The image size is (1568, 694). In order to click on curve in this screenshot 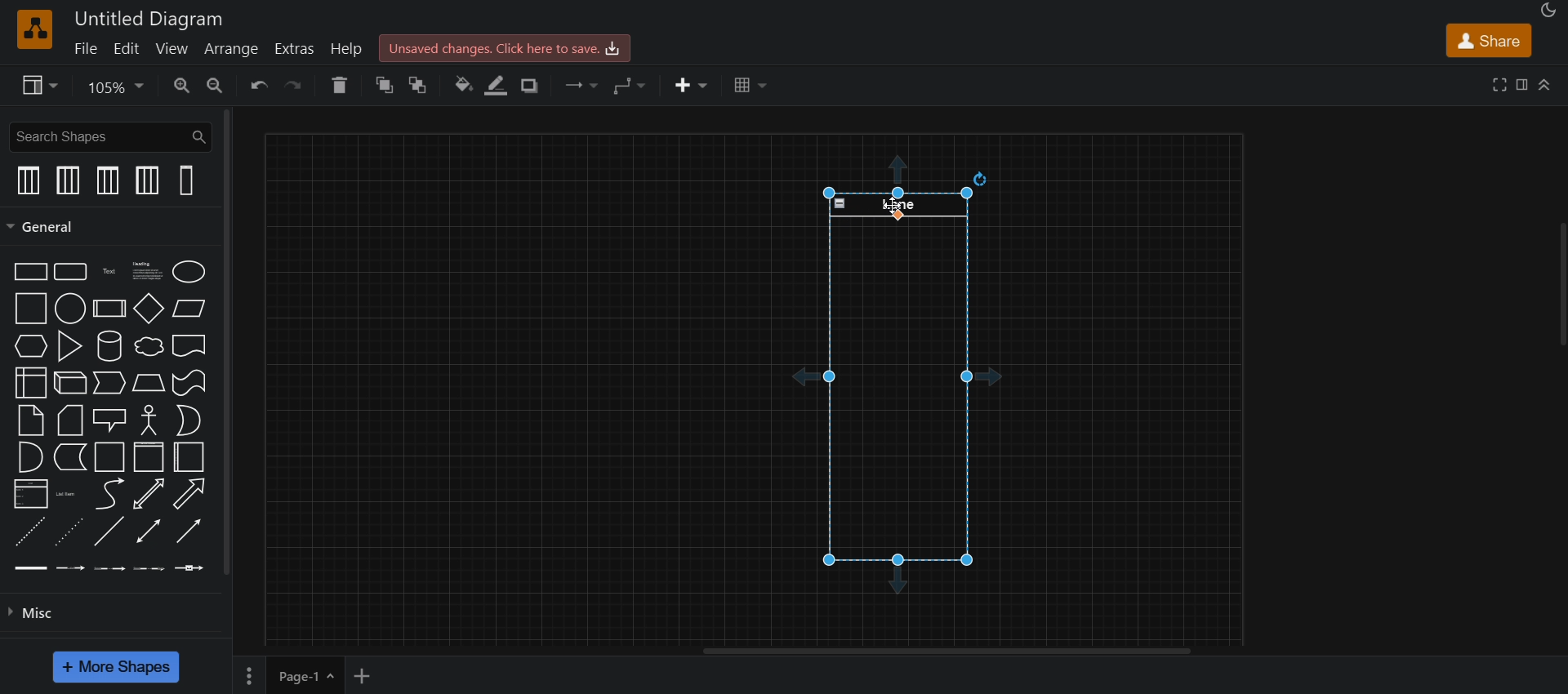, I will do `click(110, 496)`.